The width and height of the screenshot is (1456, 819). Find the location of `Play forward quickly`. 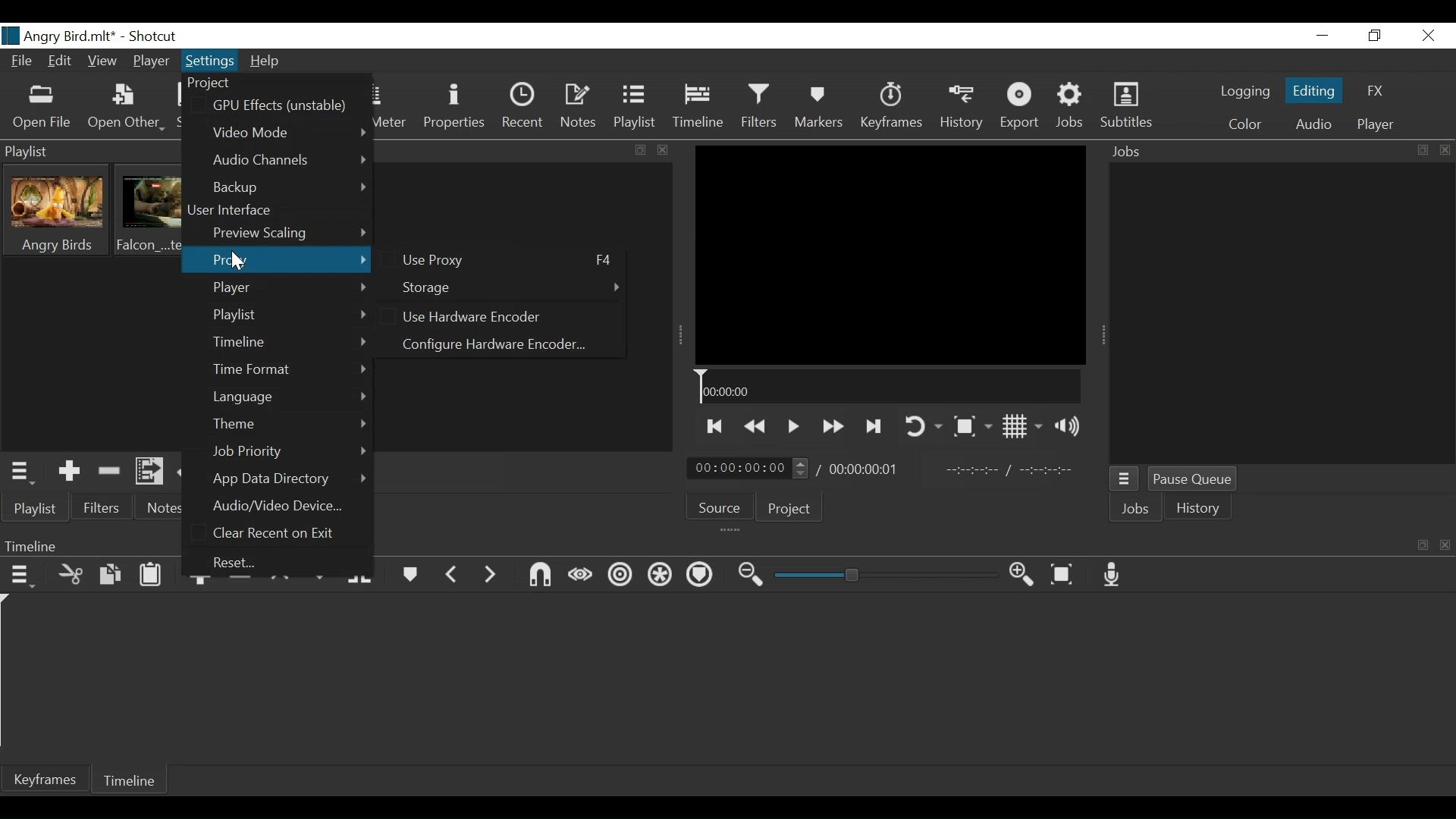

Play forward quickly is located at coordinates (832, 427).